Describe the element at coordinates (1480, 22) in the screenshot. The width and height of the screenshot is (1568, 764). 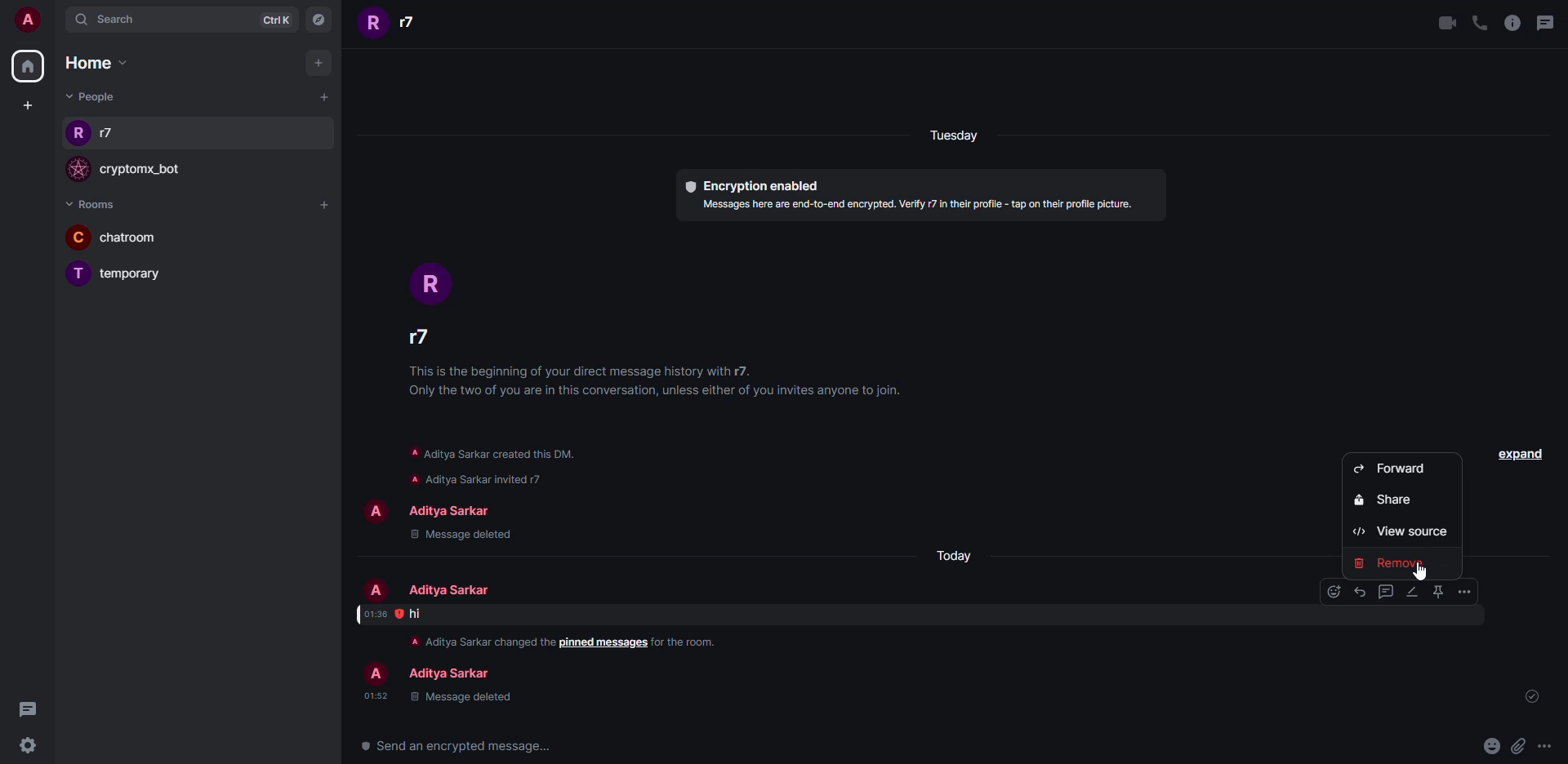
I see `voice call` at that location.